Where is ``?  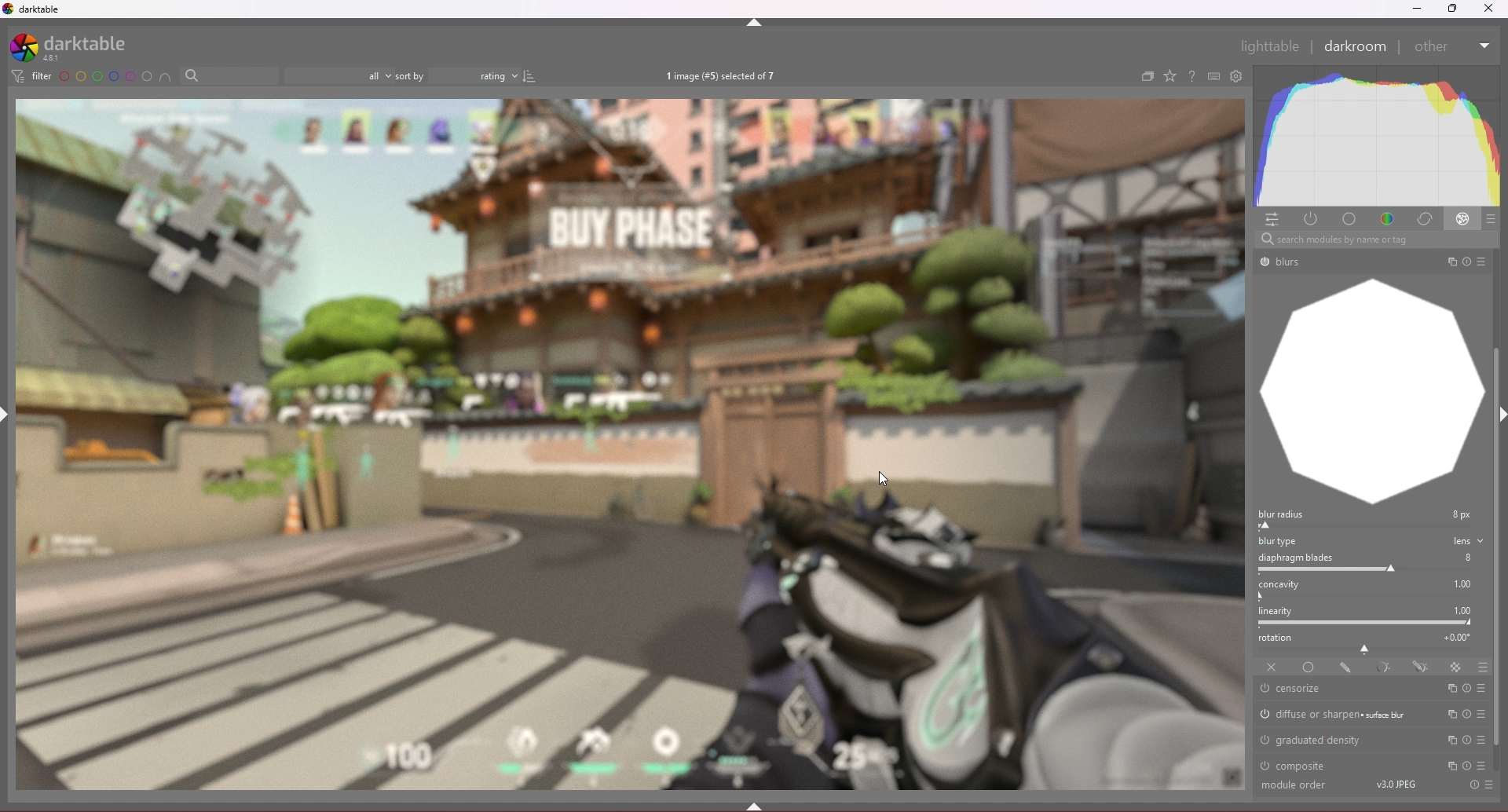
 is located at coordinates (1268, 46).